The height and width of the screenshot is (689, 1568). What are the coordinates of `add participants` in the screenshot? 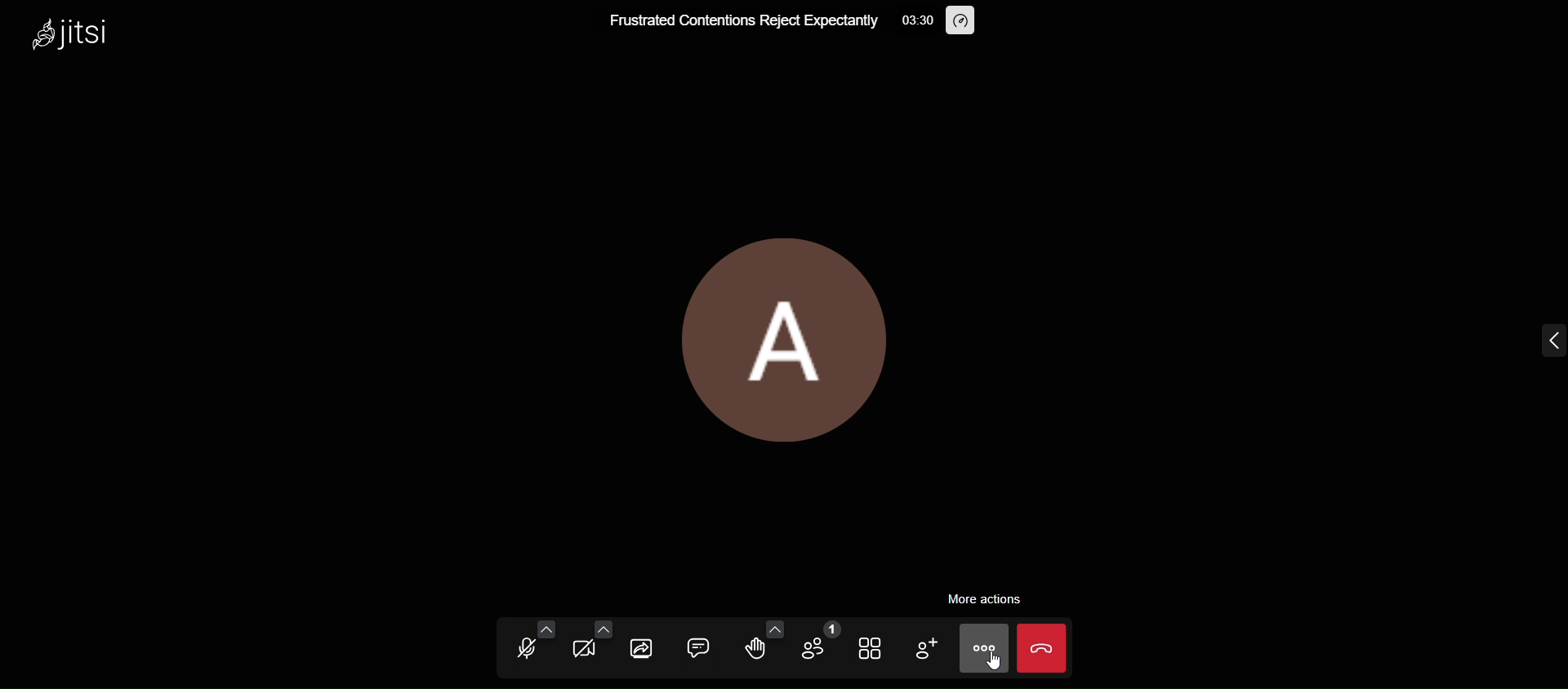 It's located at (921, 646).